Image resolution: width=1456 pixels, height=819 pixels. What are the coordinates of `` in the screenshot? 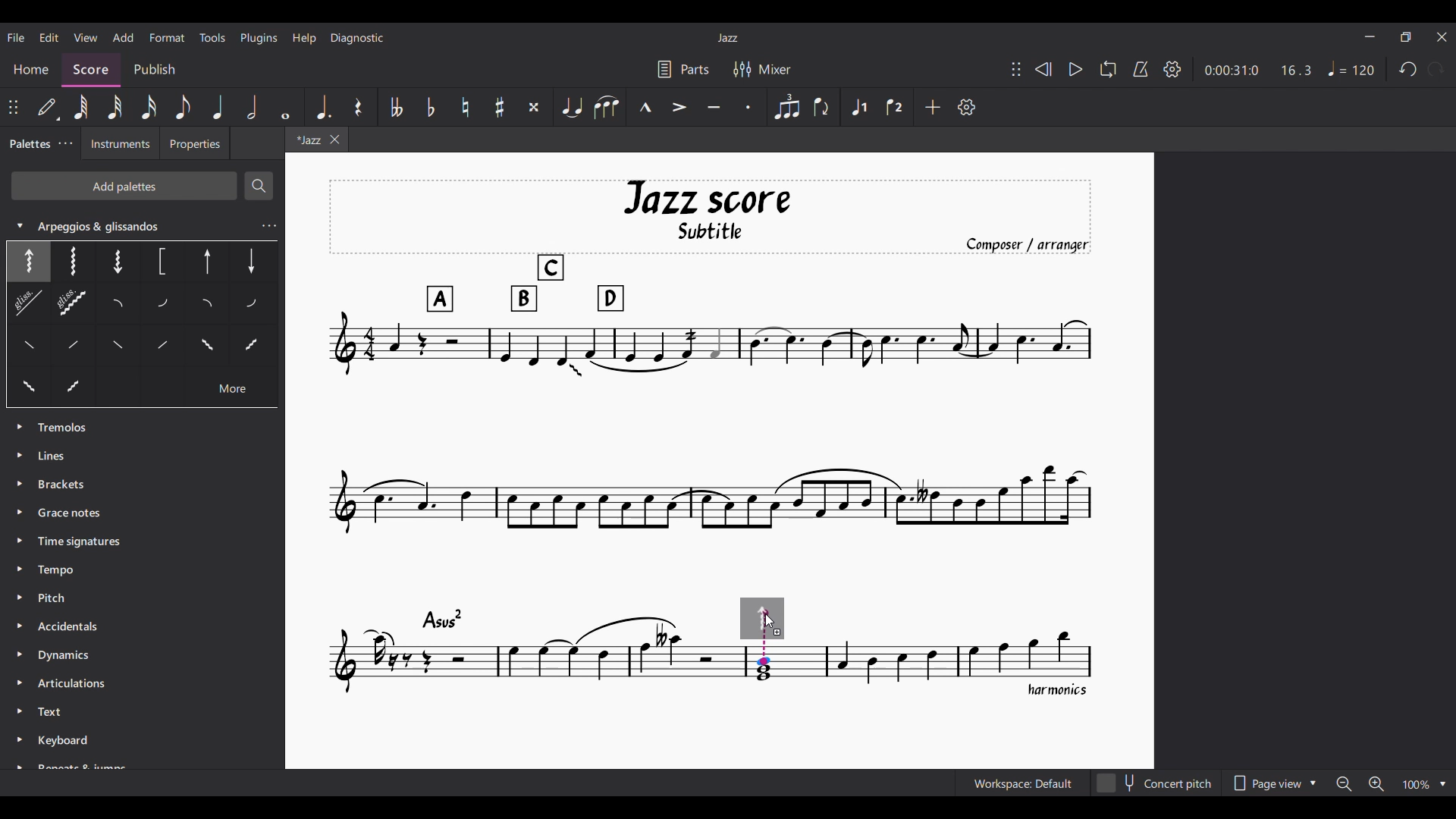 It's located at (120, 347).